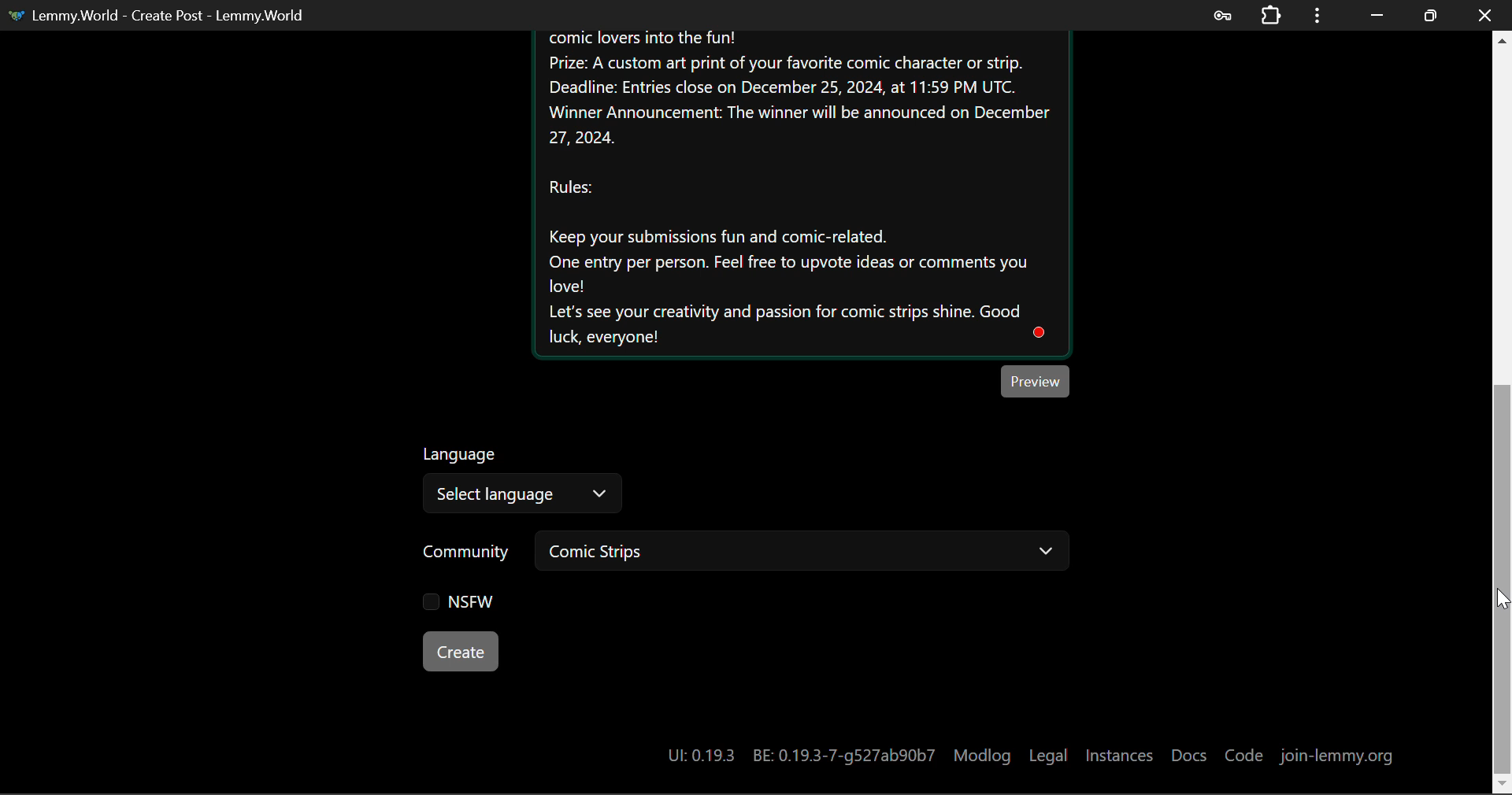 This screenshot has height=795, width=1512. Describe the element at coordinates (1430, 13) in the screenshot. I see `Minimize Window` at that location.